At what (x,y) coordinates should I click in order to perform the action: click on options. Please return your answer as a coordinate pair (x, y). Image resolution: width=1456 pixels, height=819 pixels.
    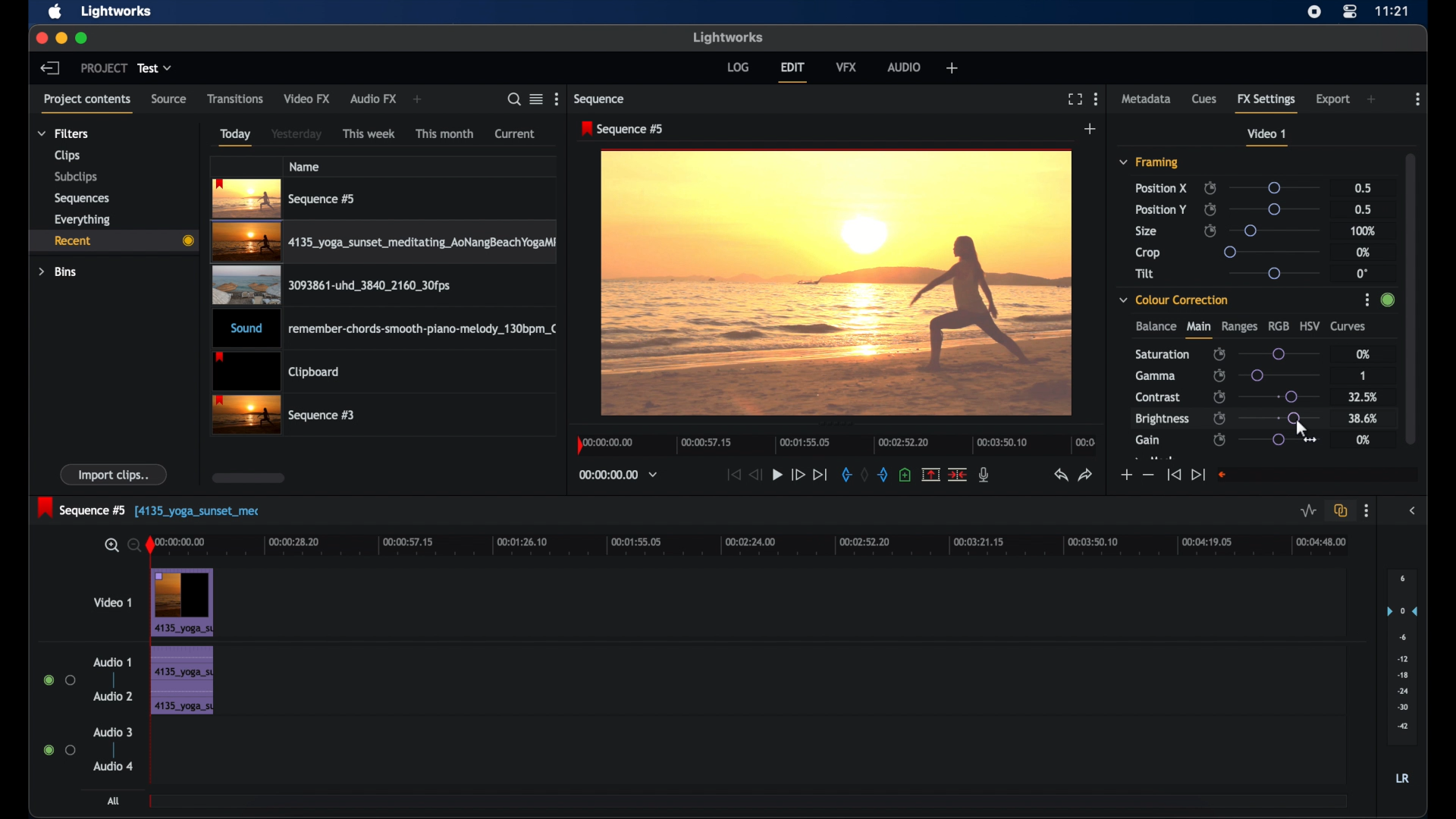
    Looking at the image, I should click on (1362, 302).